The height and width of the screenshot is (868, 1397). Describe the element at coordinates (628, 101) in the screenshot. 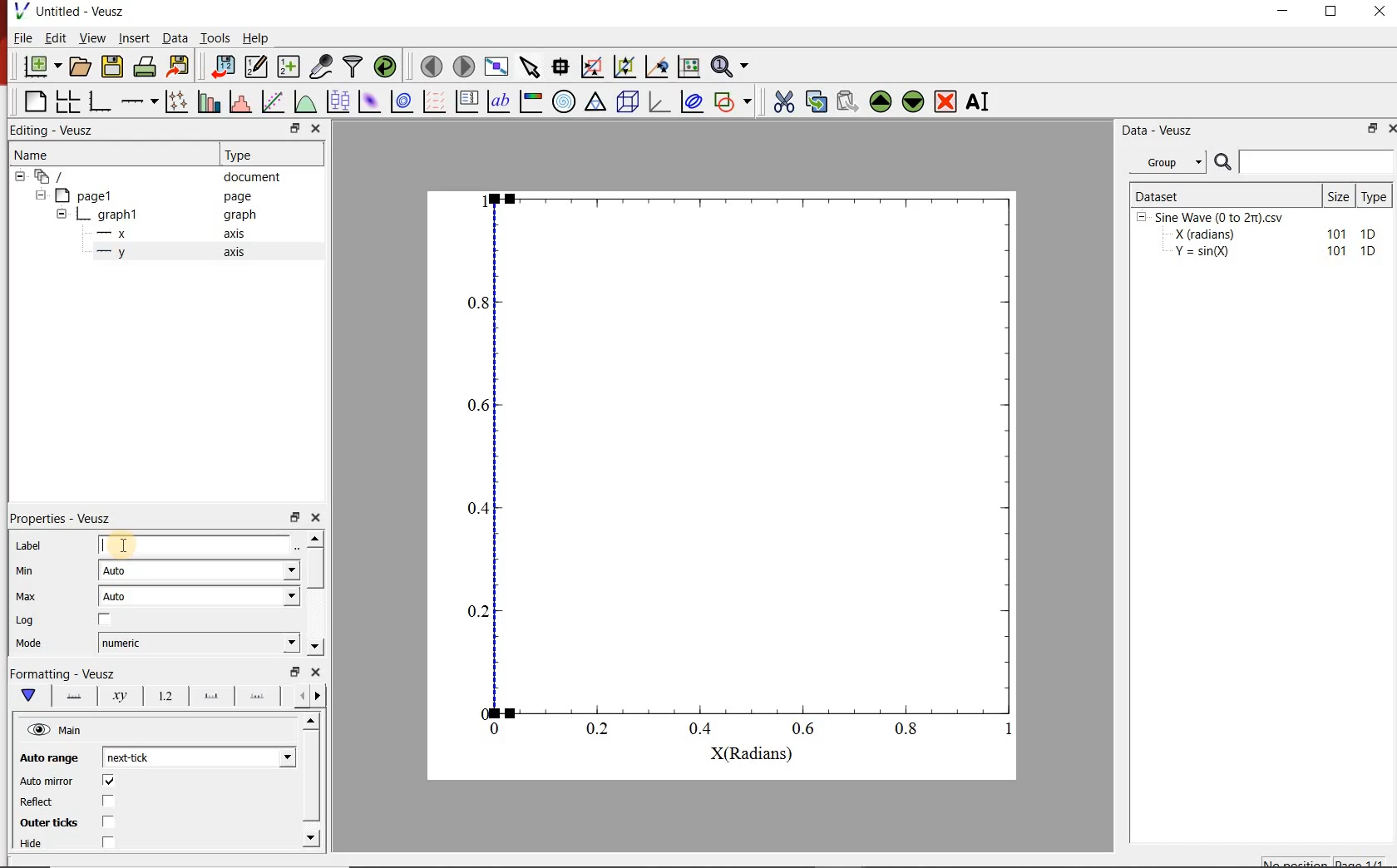

I see `3d scene` at that location.